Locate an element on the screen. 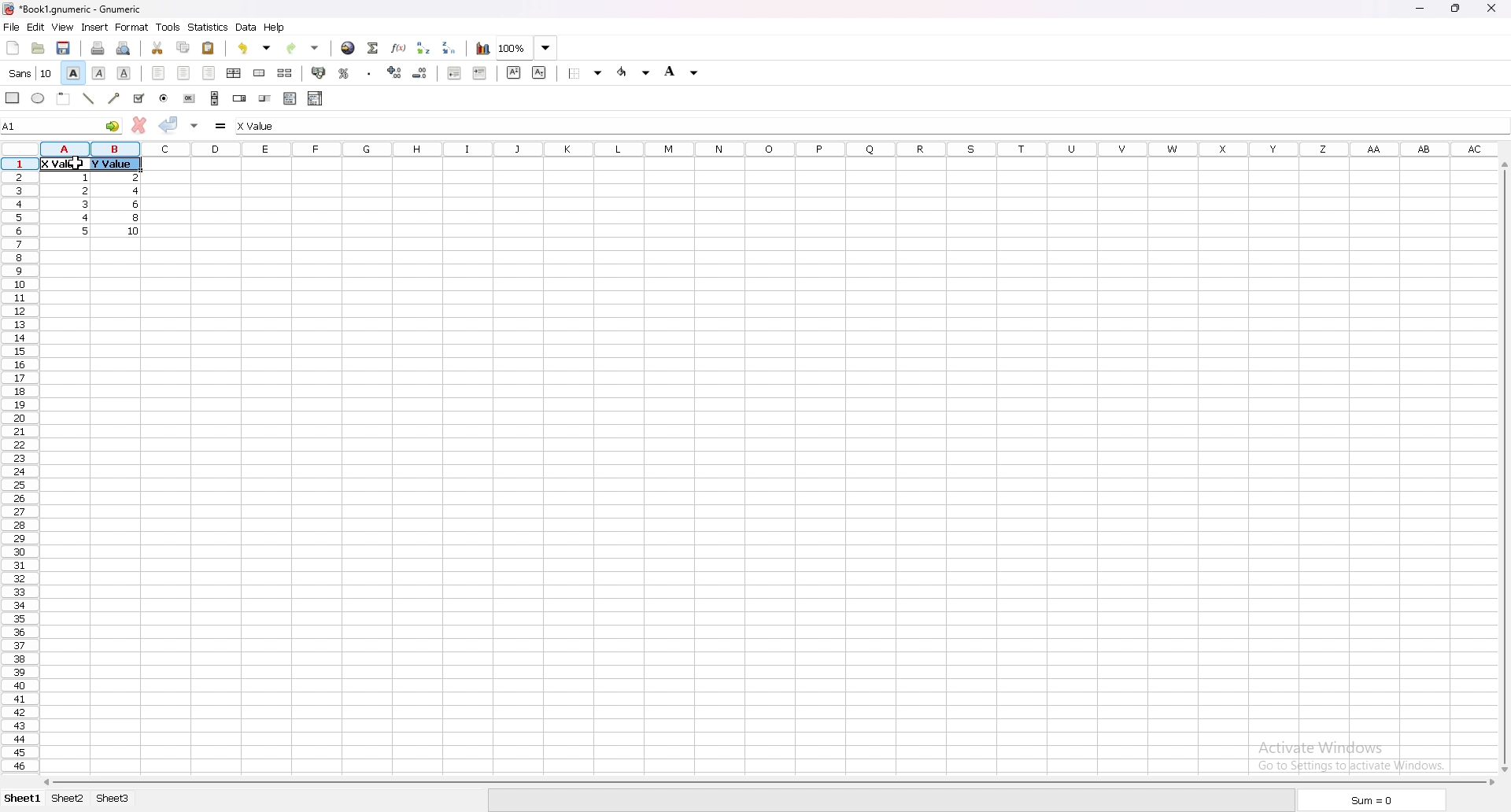 The image size is (1511, 812). bold is located at coordinates (72, 73).